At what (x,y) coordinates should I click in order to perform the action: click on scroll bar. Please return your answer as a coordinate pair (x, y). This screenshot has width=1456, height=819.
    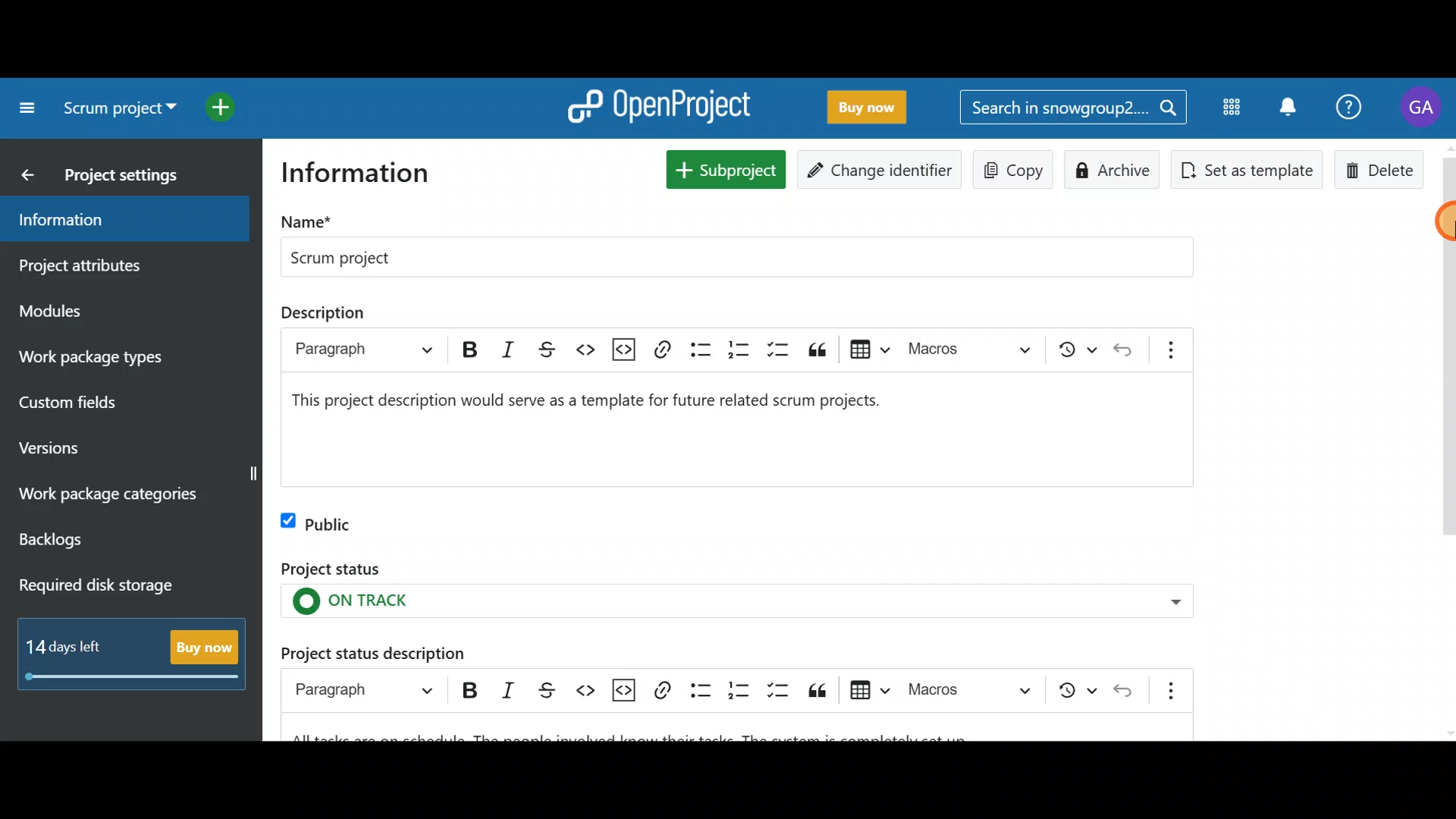
    Looking at the image, I should click on (1450, 440).